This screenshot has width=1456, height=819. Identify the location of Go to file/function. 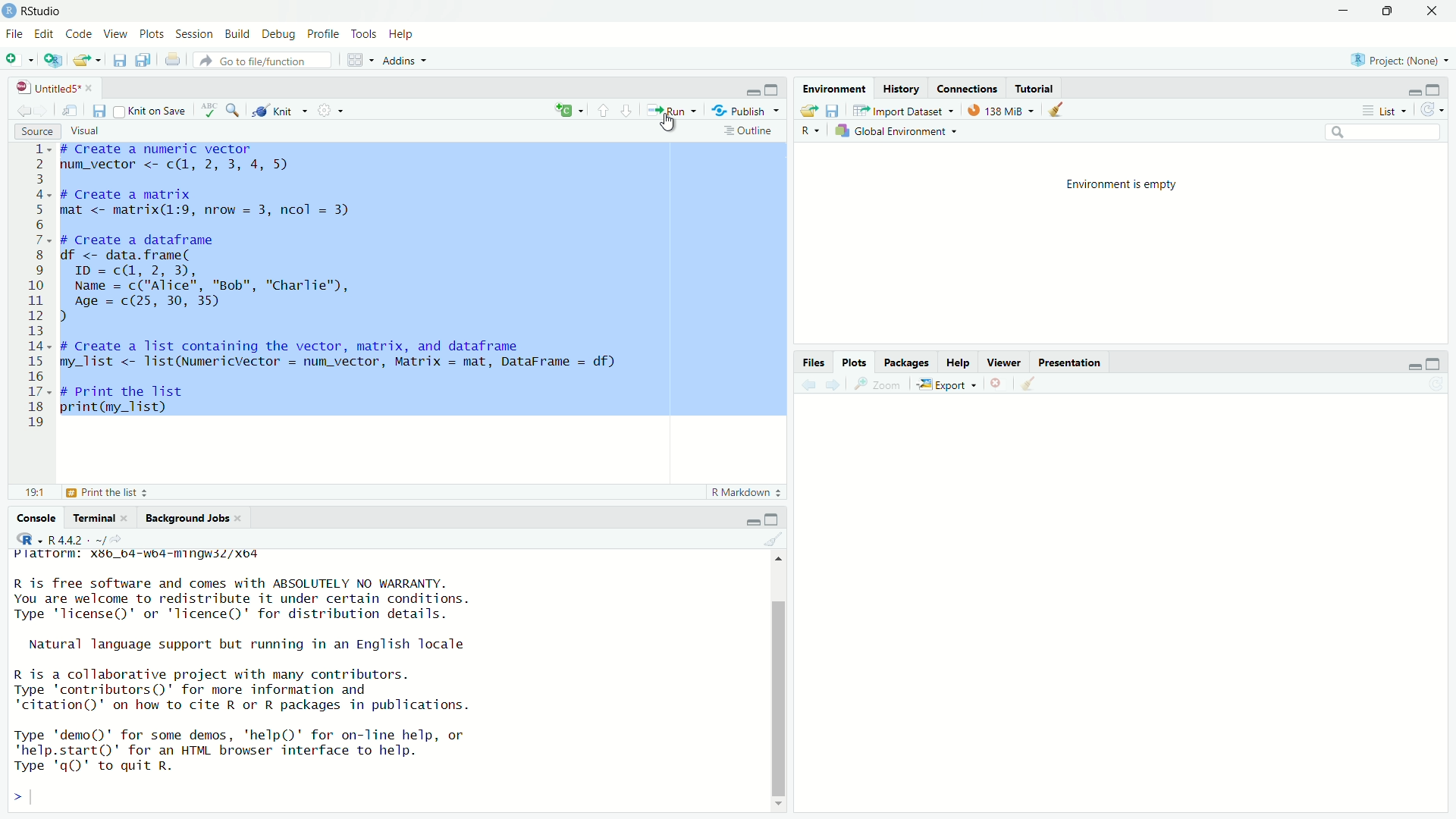
(253, 60).